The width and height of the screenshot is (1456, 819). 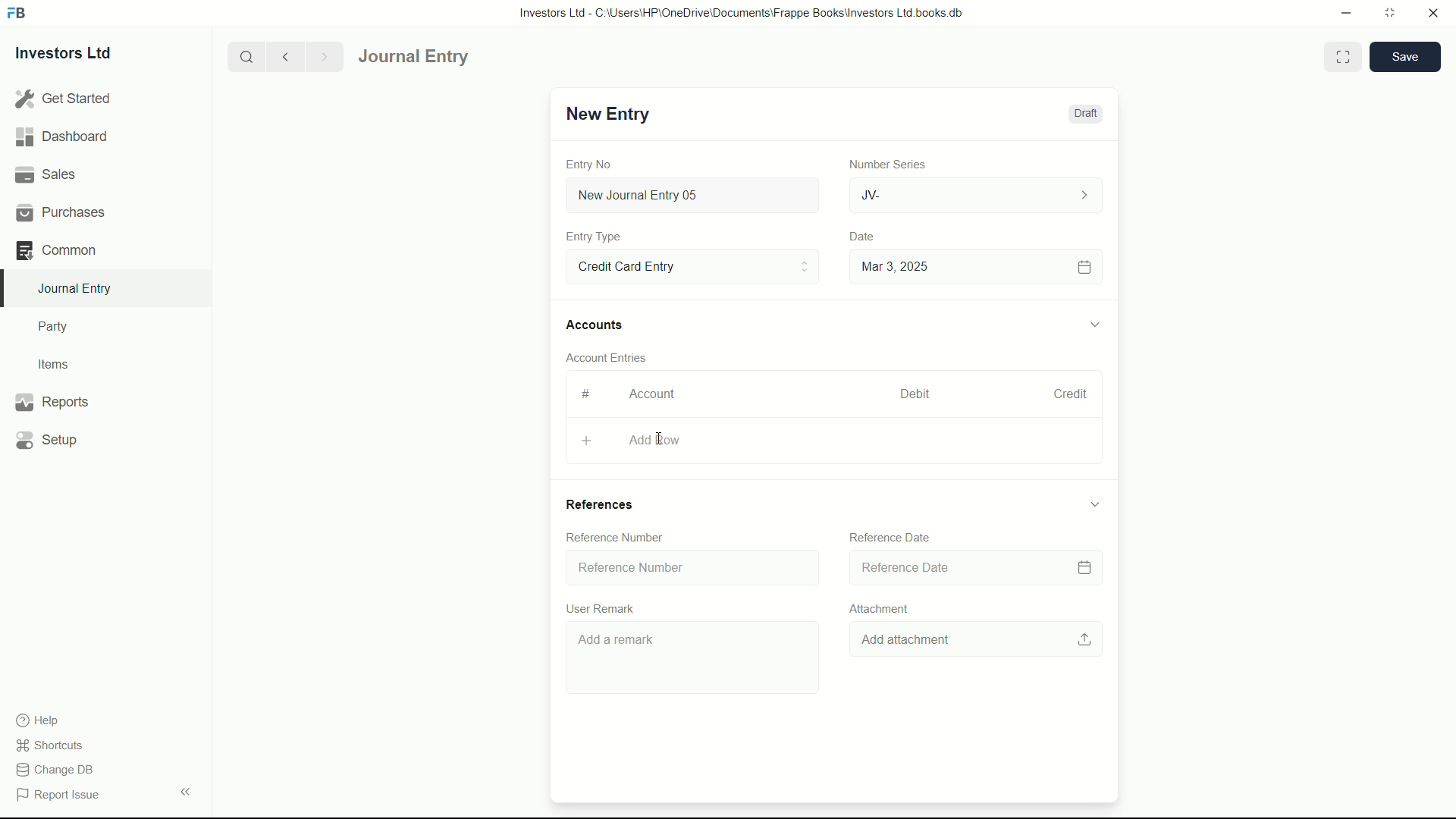 What do you see at coordinates (1064, 394) in the screenshot?
I see `Credit` at bounding box center [1064, 394].